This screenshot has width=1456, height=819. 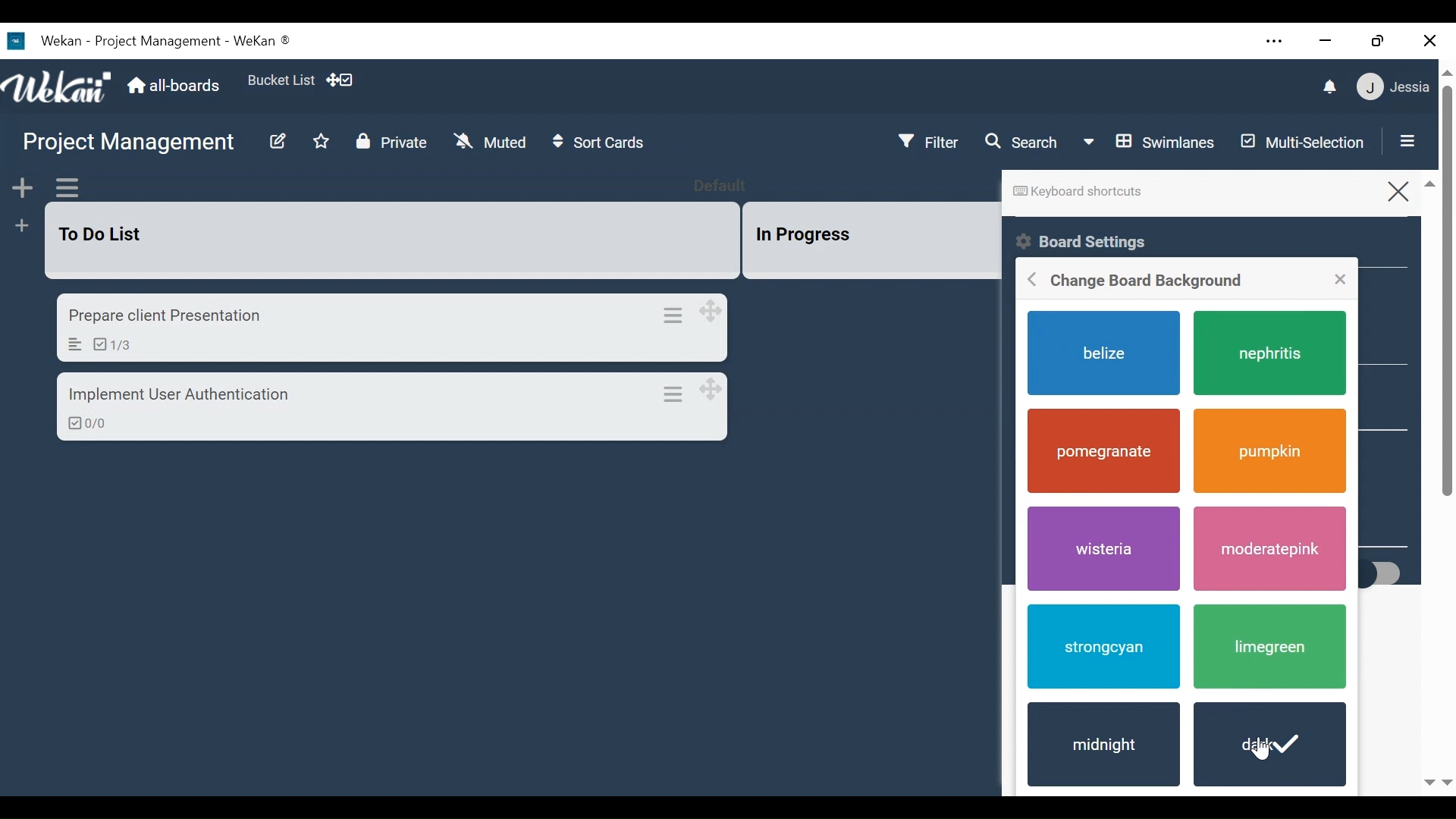 What do you see at coordinates (1341, 278) in the screenshot?
I see `close` at bounding box center [1341, 278].